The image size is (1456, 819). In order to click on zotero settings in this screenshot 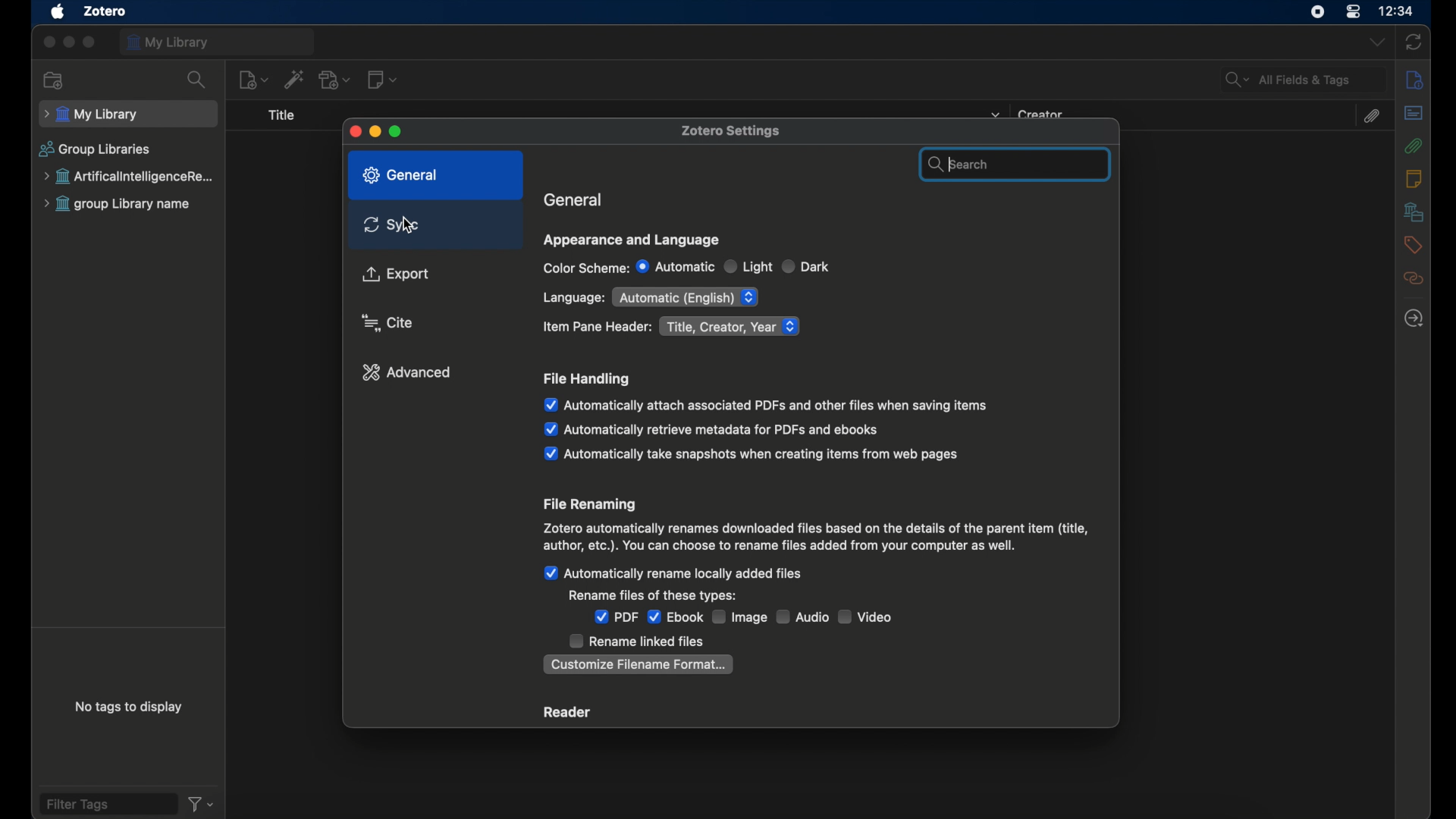, I will do `click(736, 130)`.